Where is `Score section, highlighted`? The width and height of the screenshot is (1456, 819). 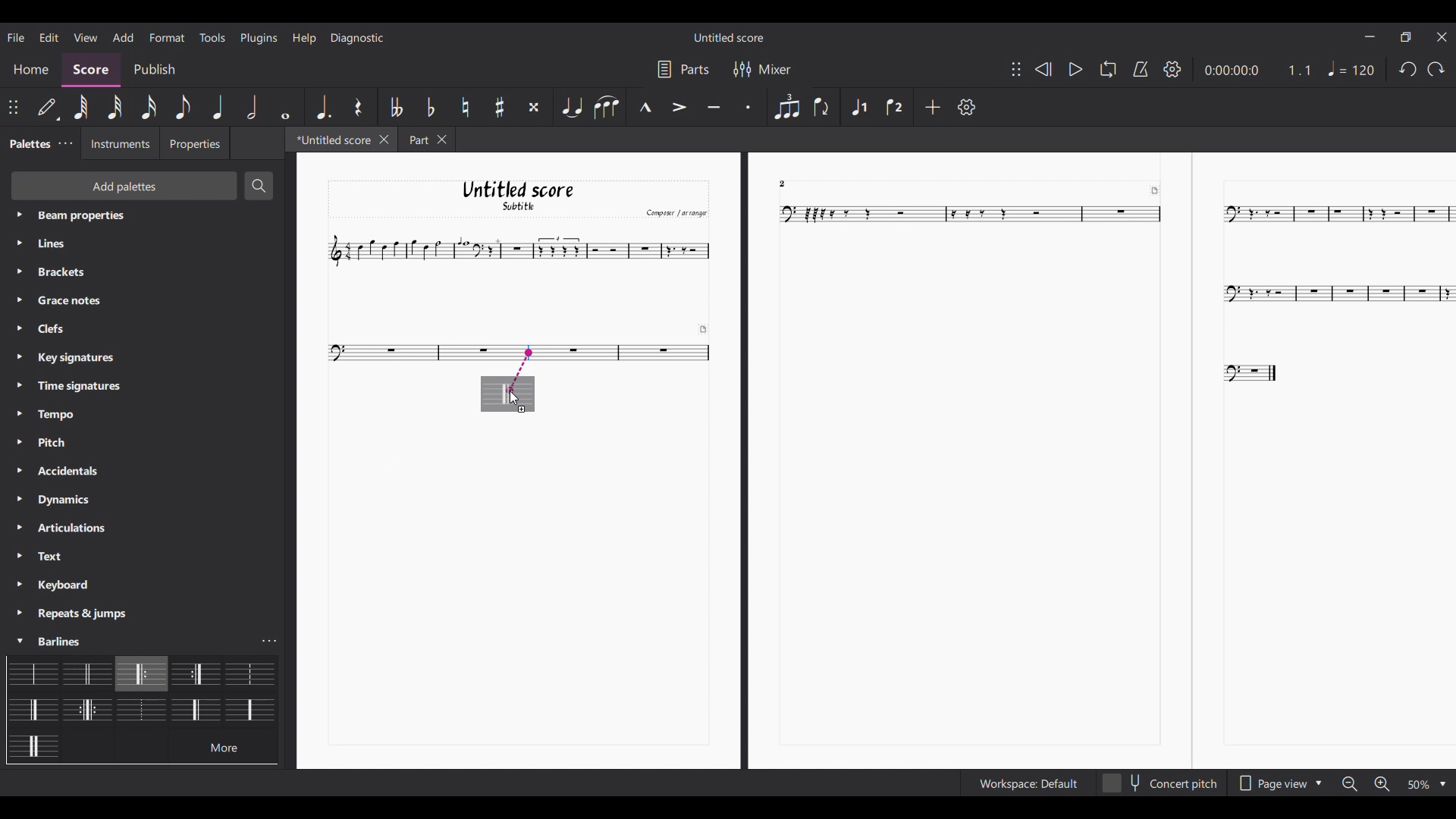 Score section, highlighted is located at coordinates (92, 71).